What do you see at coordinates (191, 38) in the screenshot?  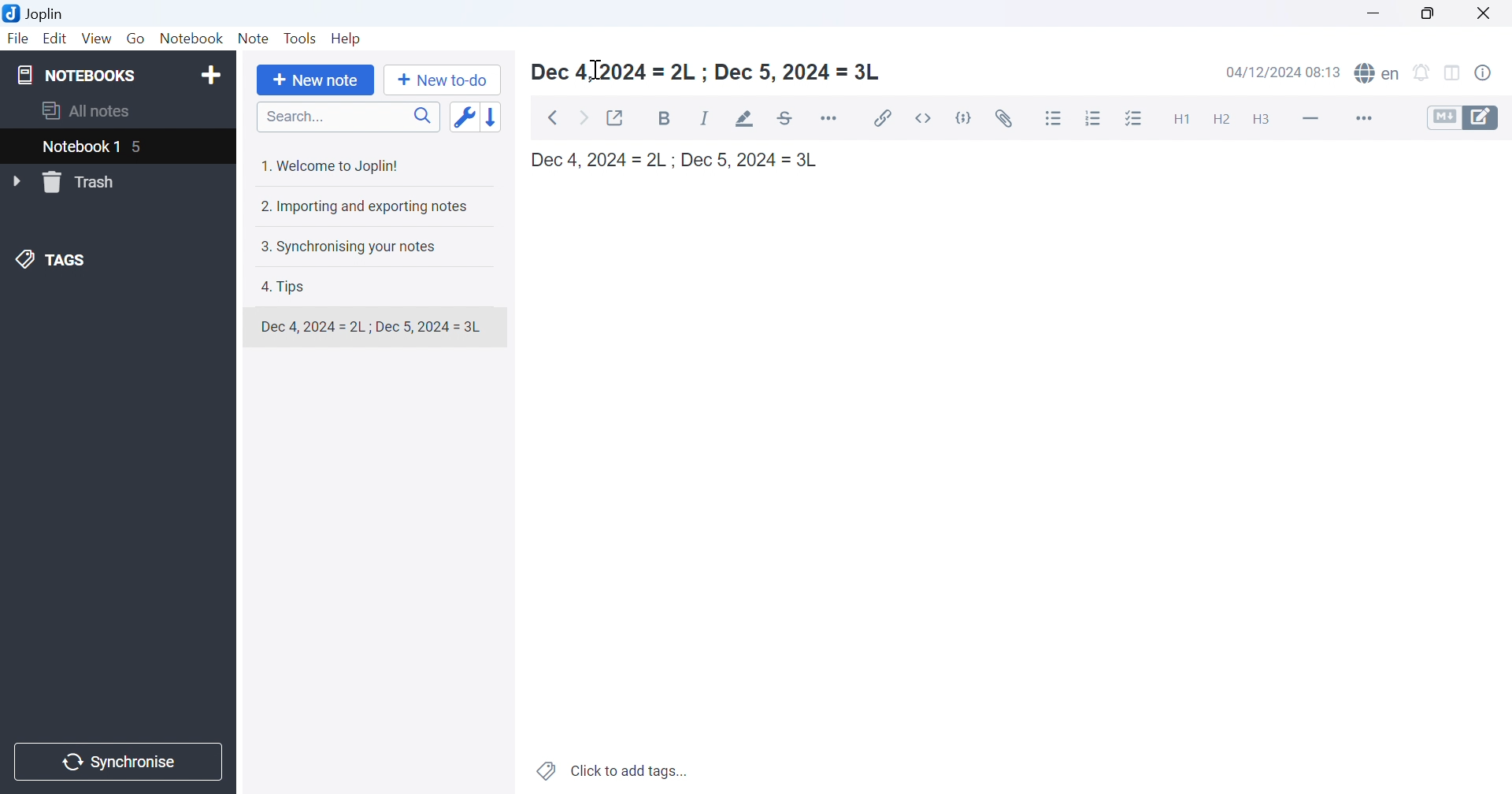 I see `Notebook` at bounding box center [191, 38].